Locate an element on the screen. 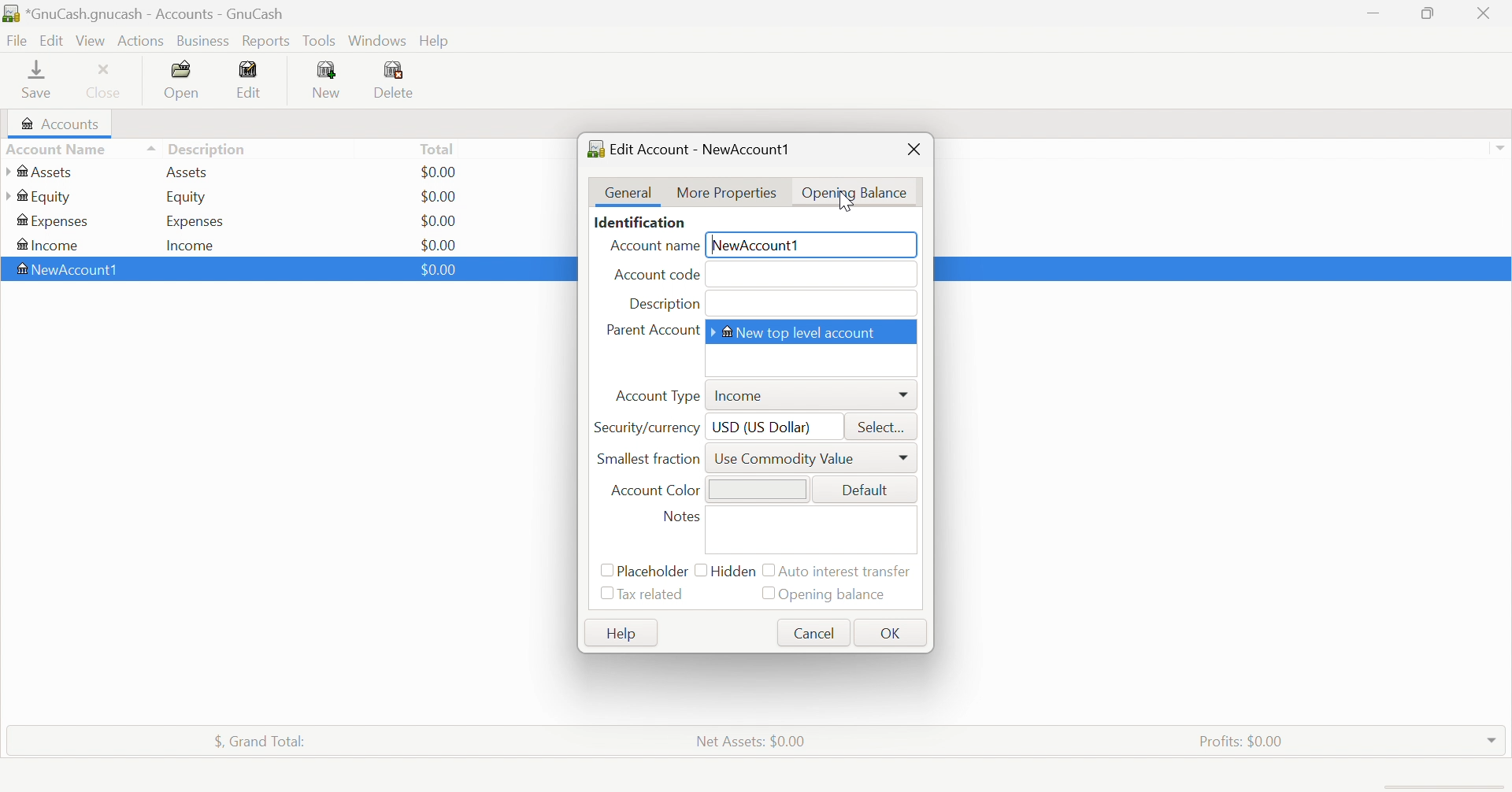 The image size is (1512, 792). Net Assets: $0.00 is located at coordinates (751, 741).